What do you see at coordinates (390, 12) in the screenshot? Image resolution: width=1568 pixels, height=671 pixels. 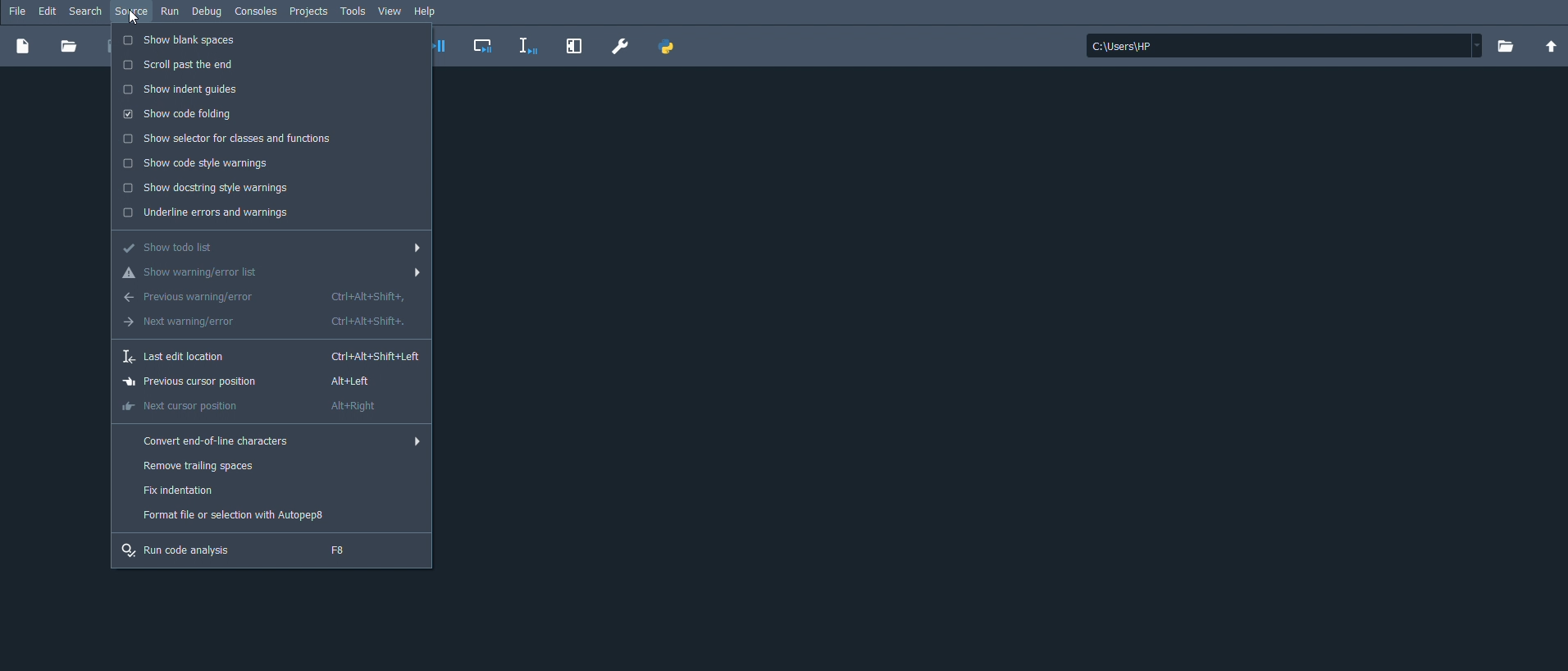 I see `View` at bounding box center [390, 12].